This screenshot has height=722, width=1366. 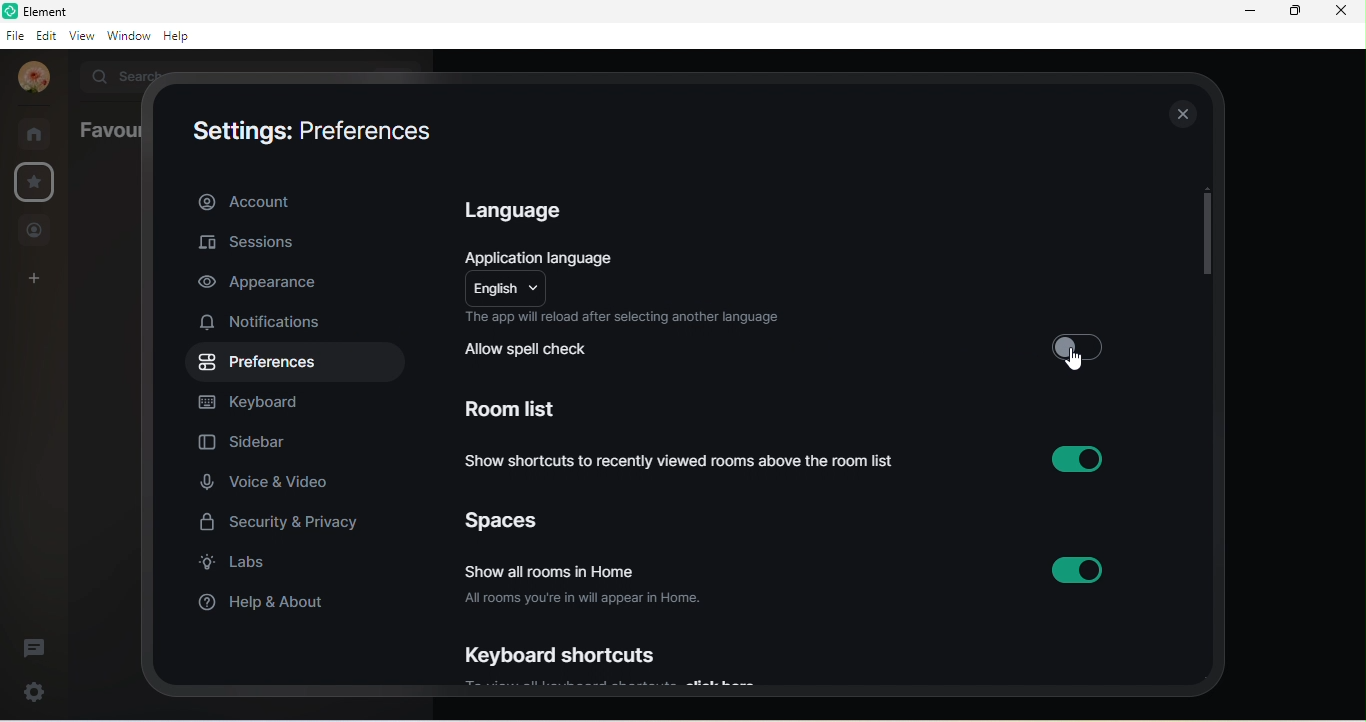 What do you see at coordinates (36, 183) in the screenshot?
I see `favourite` at bounding box center [36, 183].